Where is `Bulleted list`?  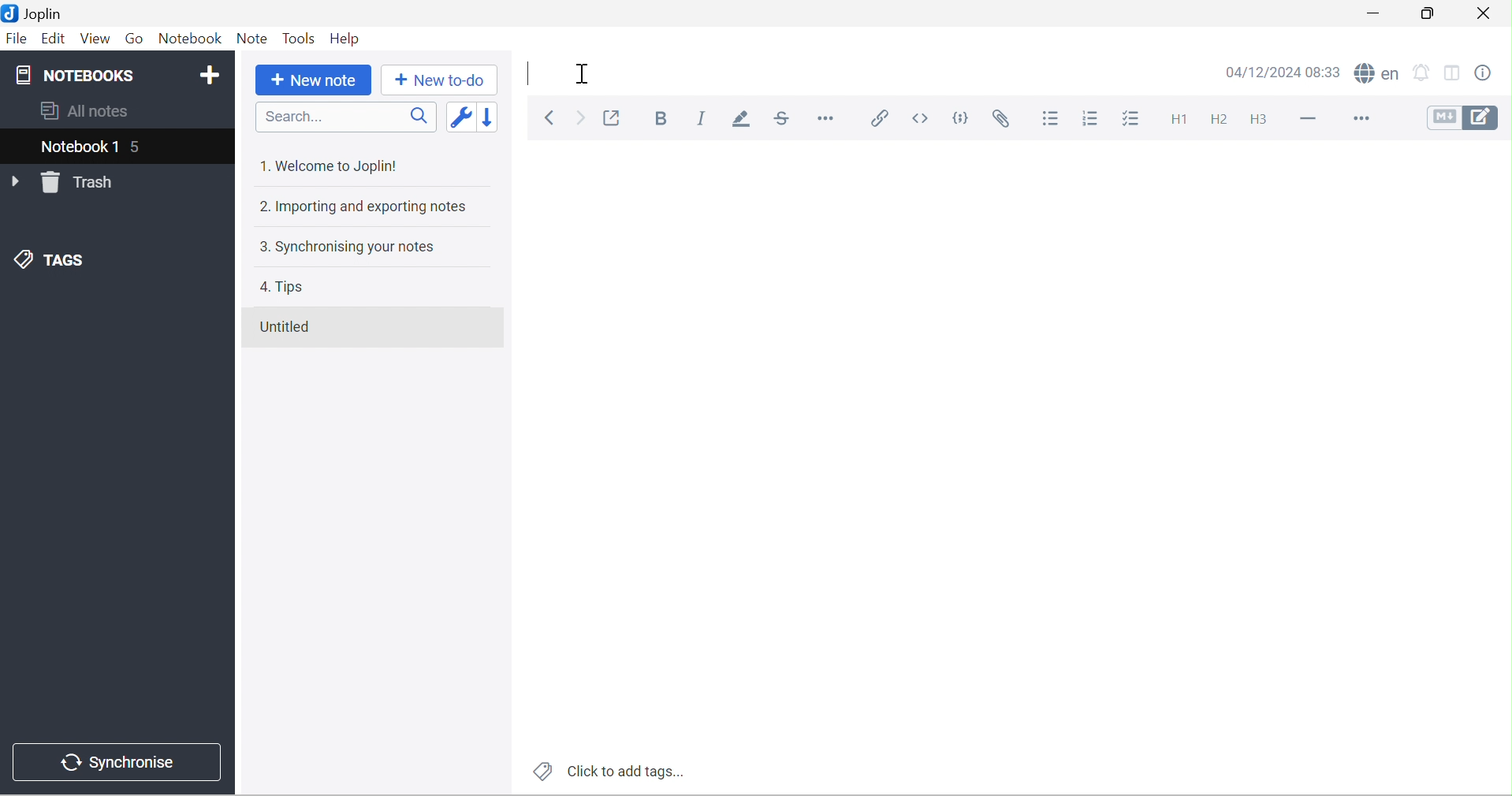
Bulleted list is located at coordinates (1056, 121).